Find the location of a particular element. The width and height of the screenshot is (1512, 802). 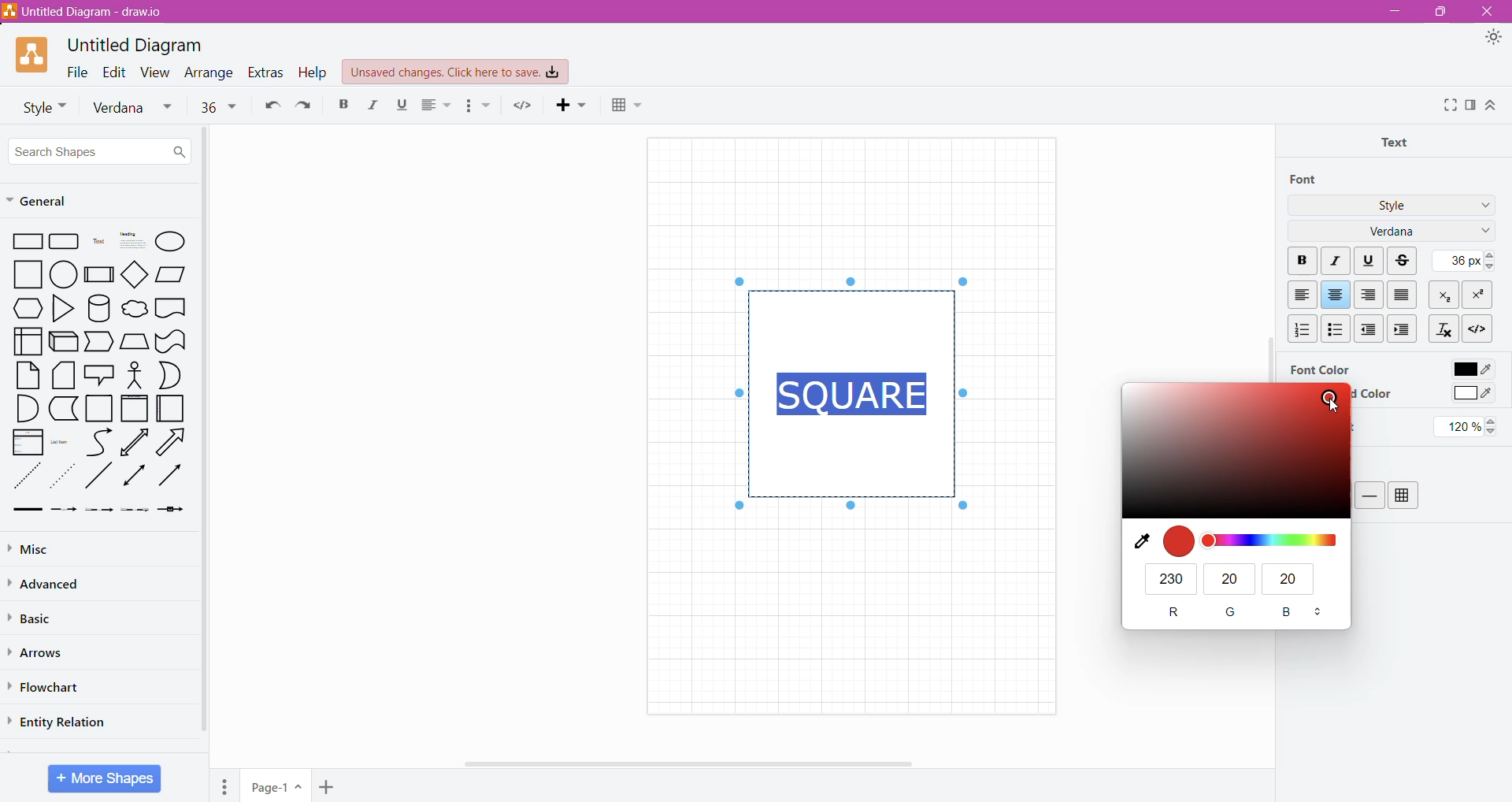

3D Rectangle is located at coordinates (63, 340).